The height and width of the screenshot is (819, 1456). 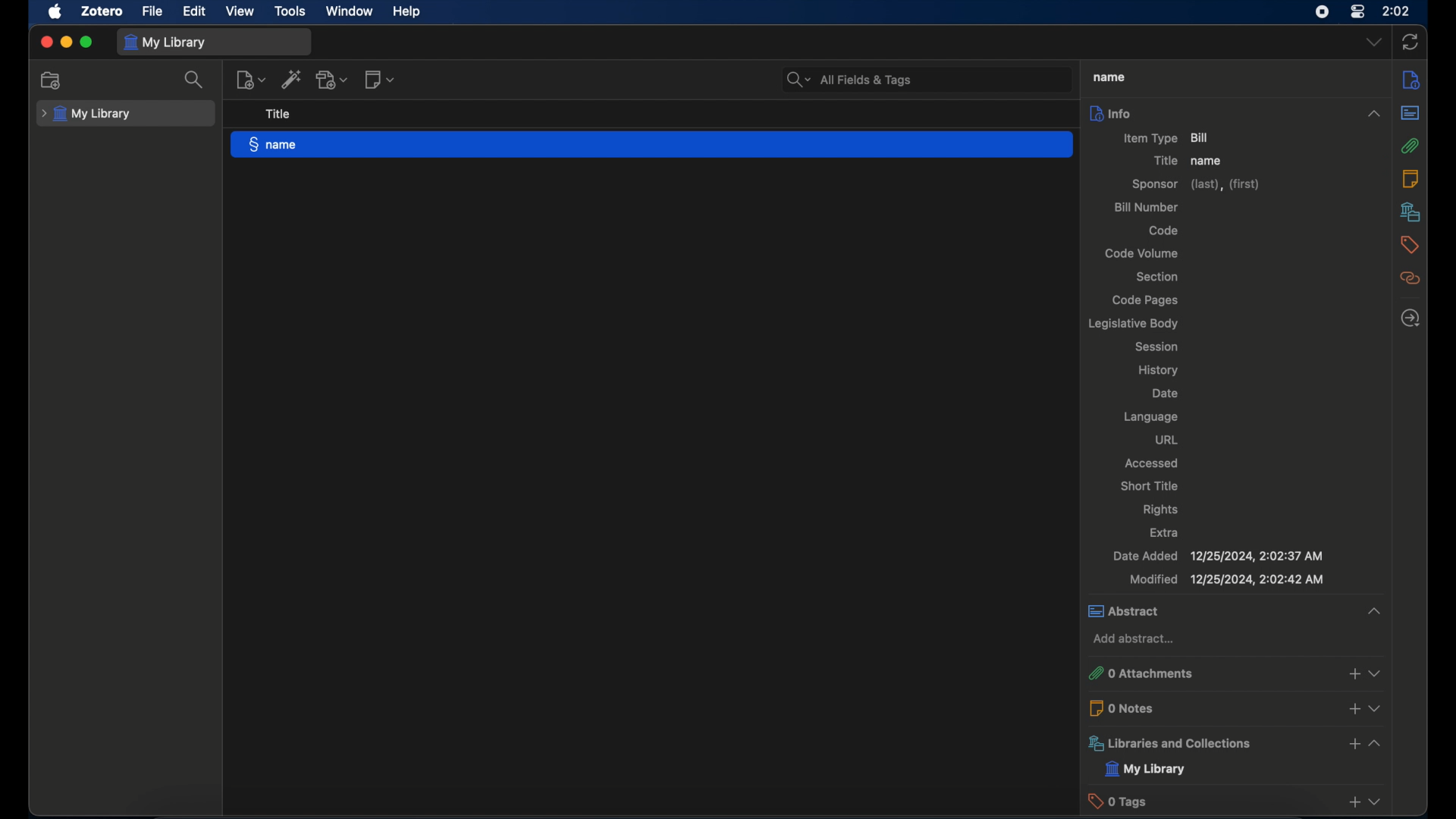 What do you see at coordinates (1168, 138) in the screenshot?
I see `item type` at bounding box center [1168, 138].